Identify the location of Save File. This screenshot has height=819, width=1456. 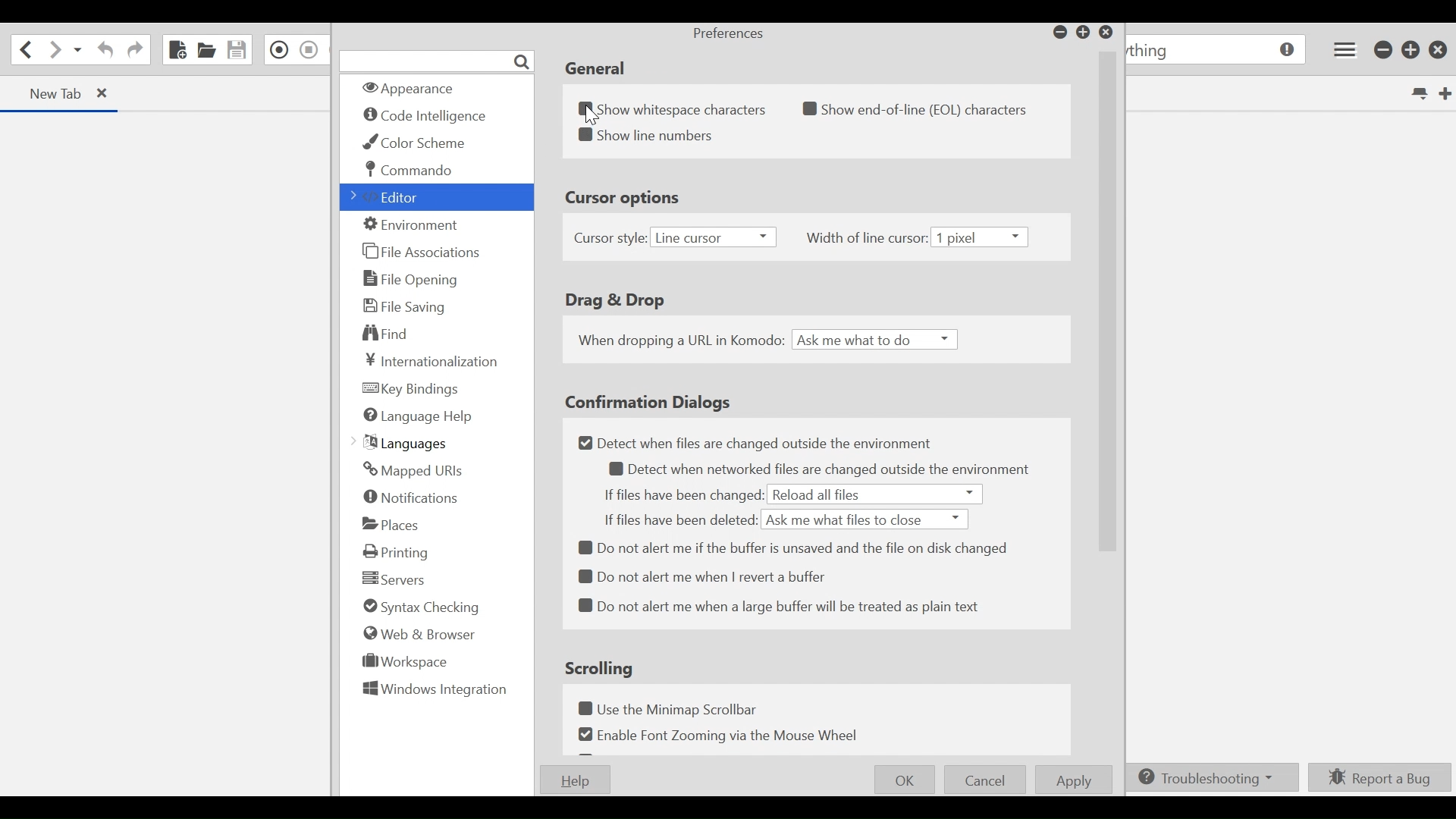
(236, 50).